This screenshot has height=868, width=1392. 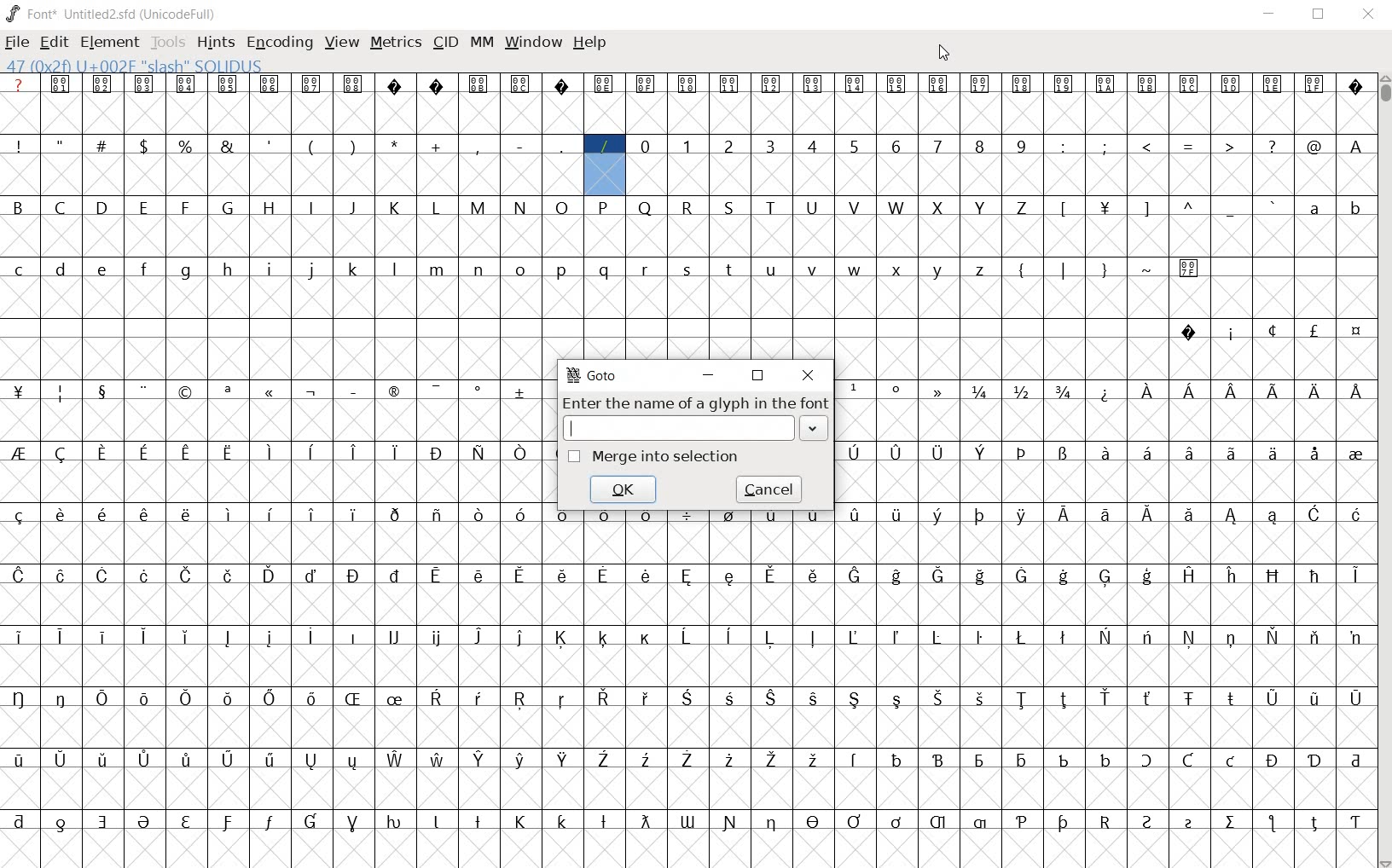 I want to click on glyph, so click(x=1021, y=576).